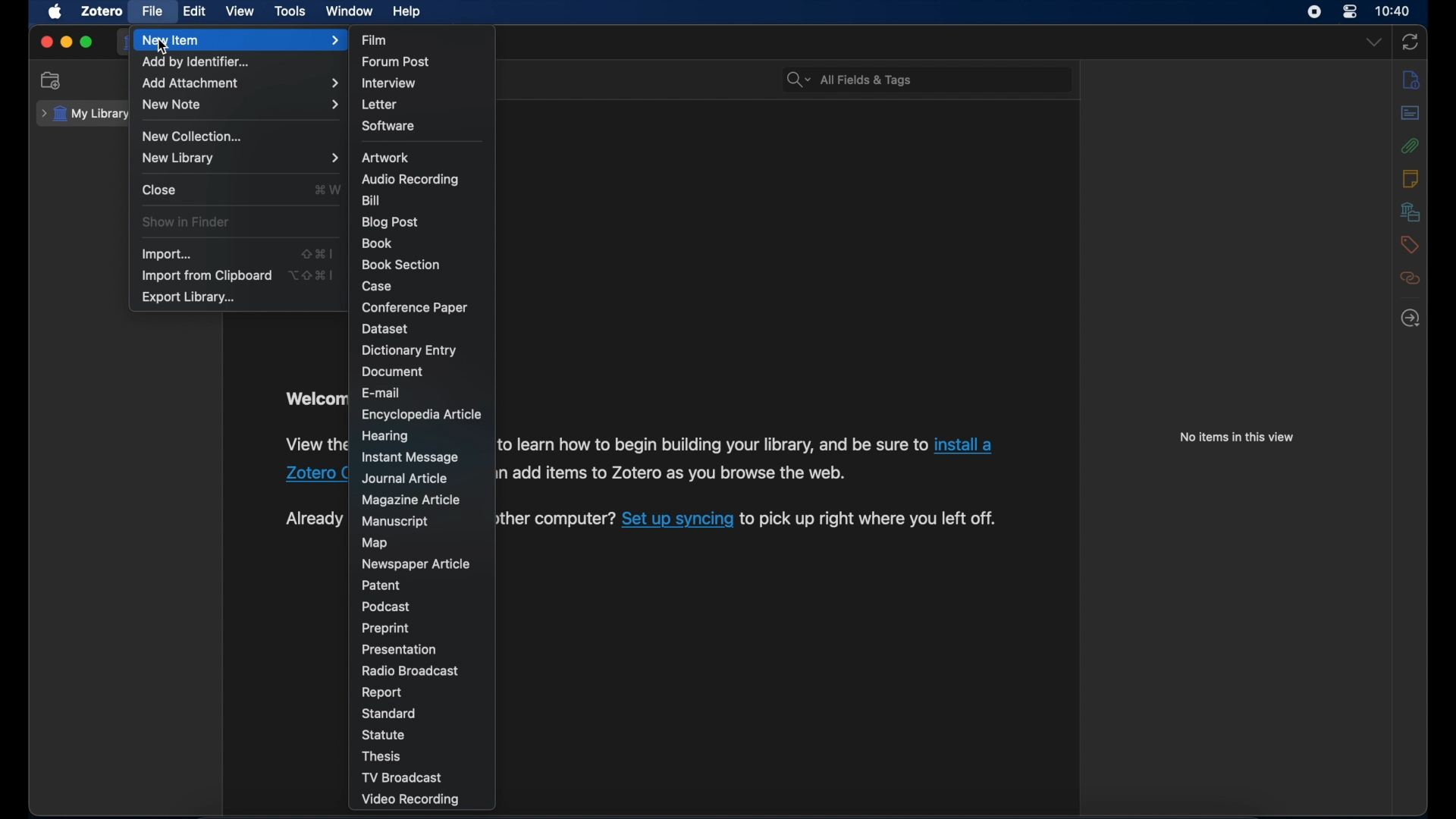 This screenshot has height=819, width=1456. What do you see at coordinates (240, 41) in the screenshot?
I see `new item` at bounding box center [240, 41].